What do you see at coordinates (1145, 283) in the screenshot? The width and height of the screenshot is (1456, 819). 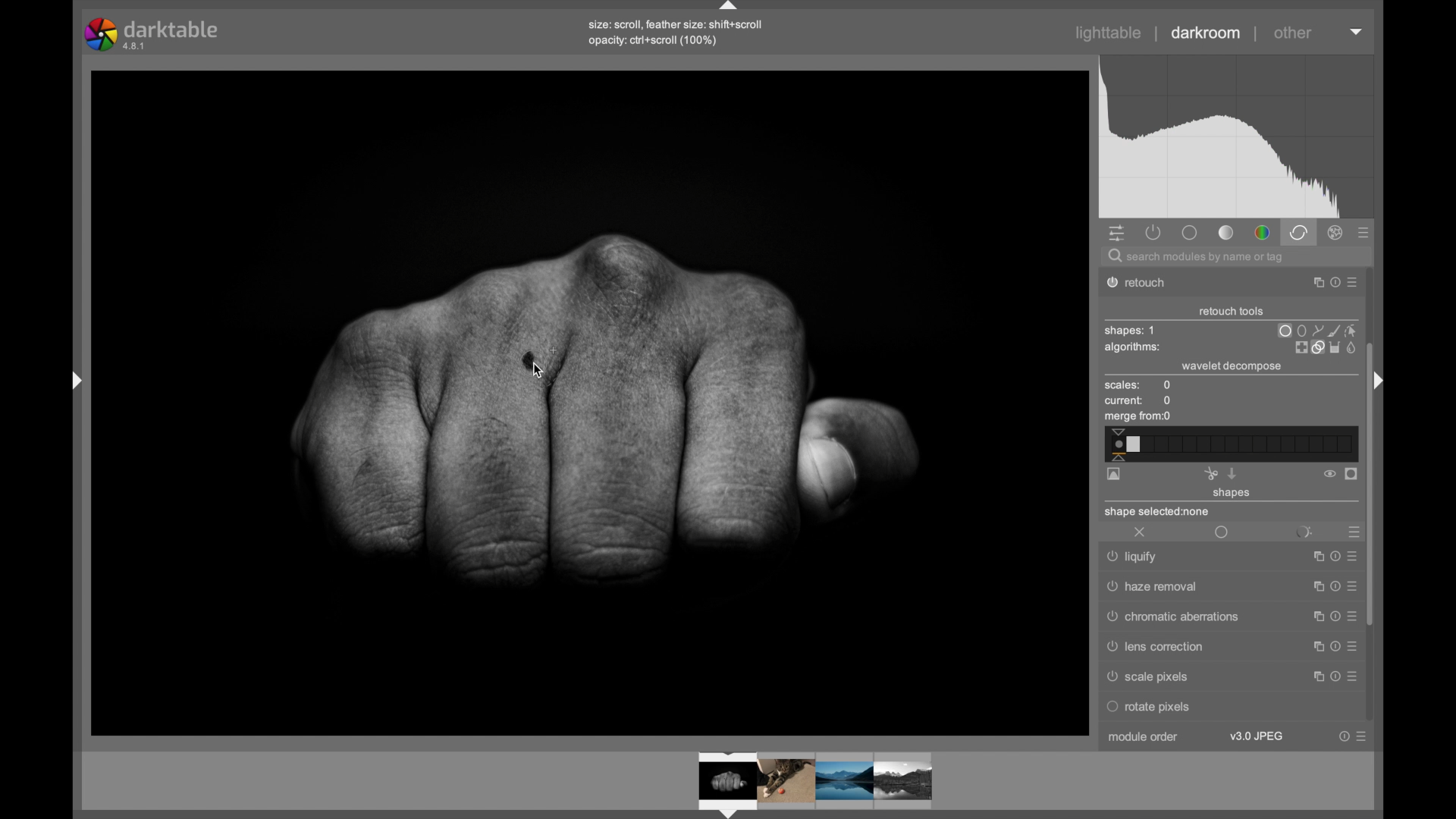 I see `retouch` at bounding box center [1145, 283].